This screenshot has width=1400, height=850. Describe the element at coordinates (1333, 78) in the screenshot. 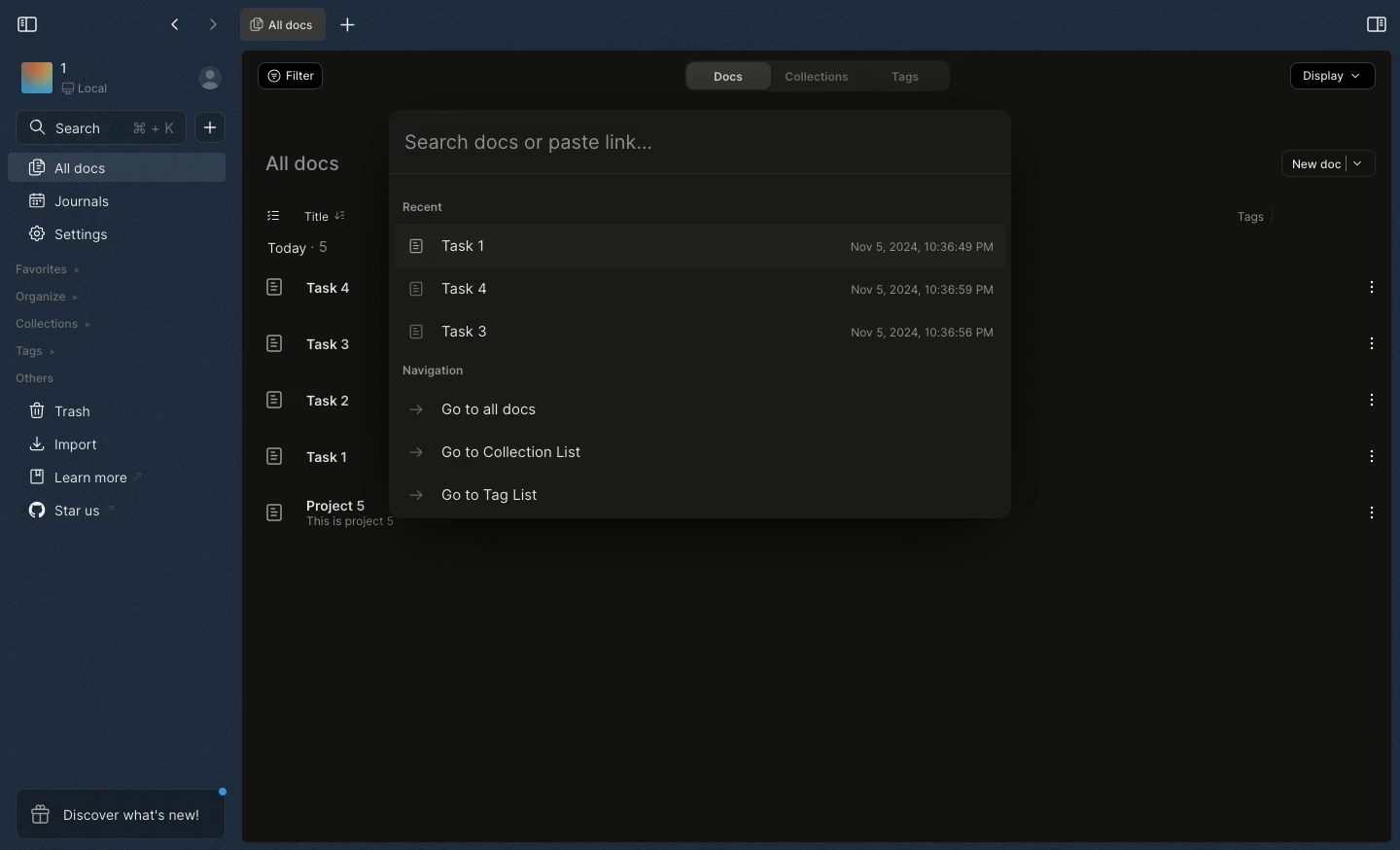

I see `Display` at that location.